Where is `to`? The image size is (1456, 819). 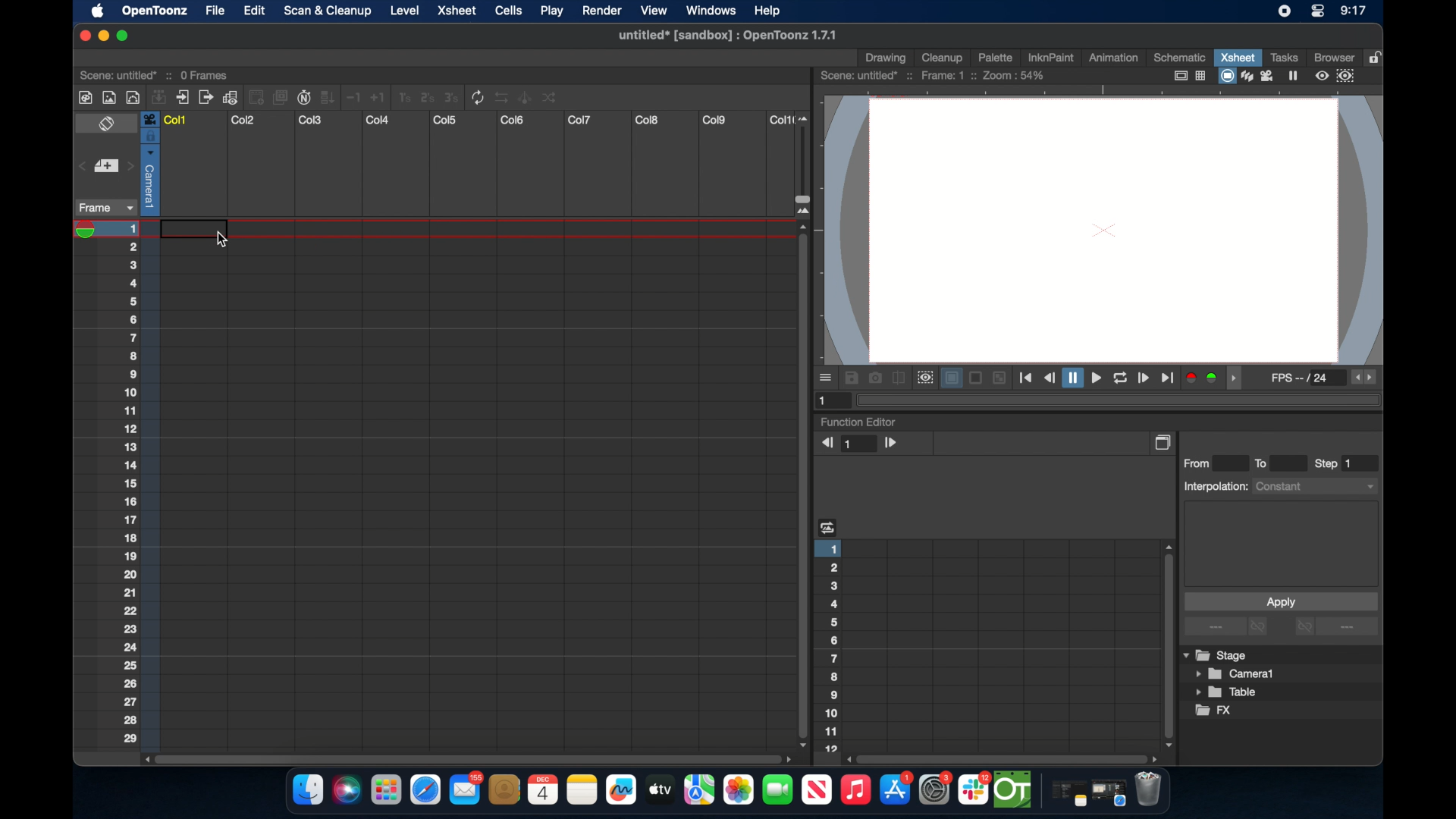
to is located at coordinates (1266, 463).